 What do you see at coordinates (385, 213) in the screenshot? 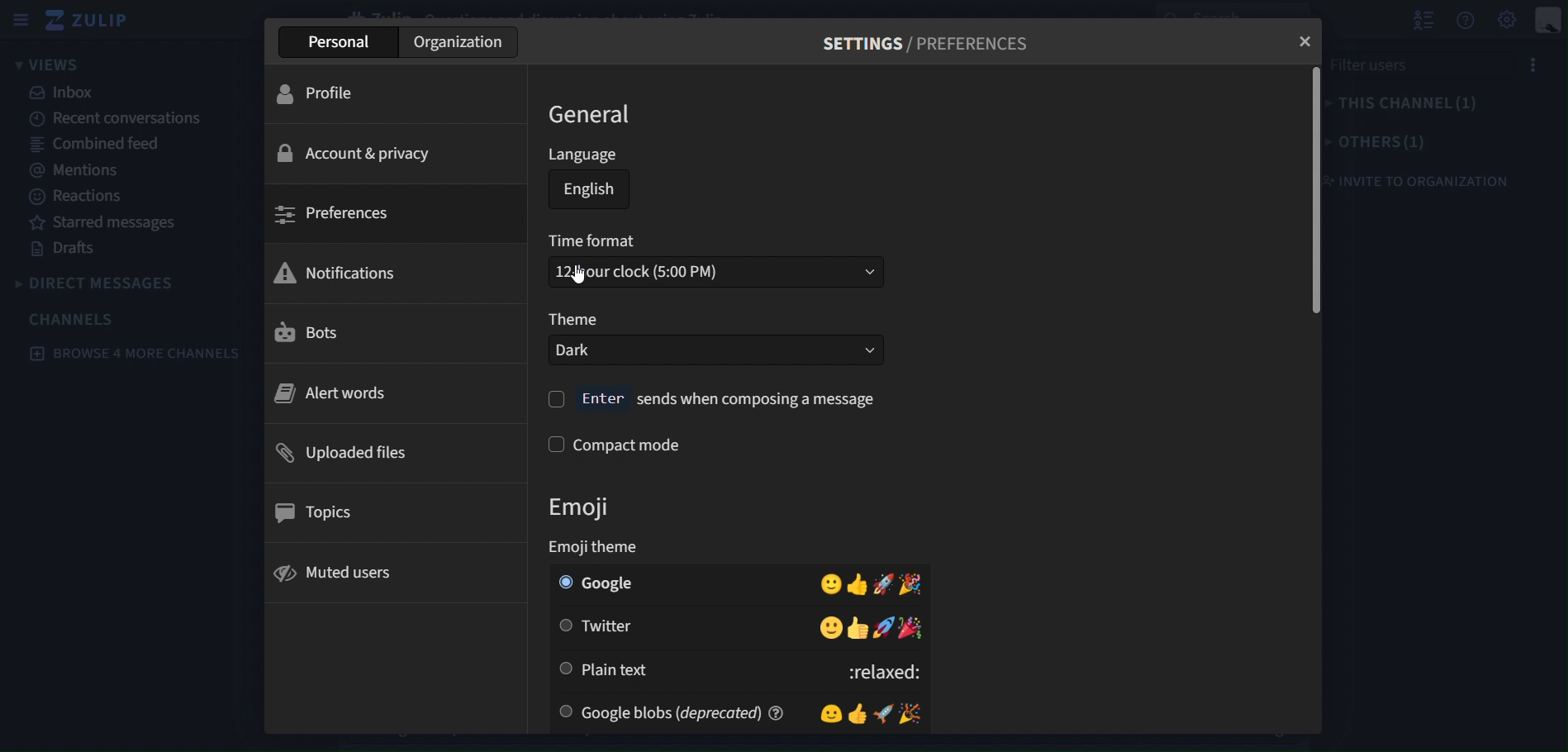
I see `preferences` at bounding box center [385, 213].